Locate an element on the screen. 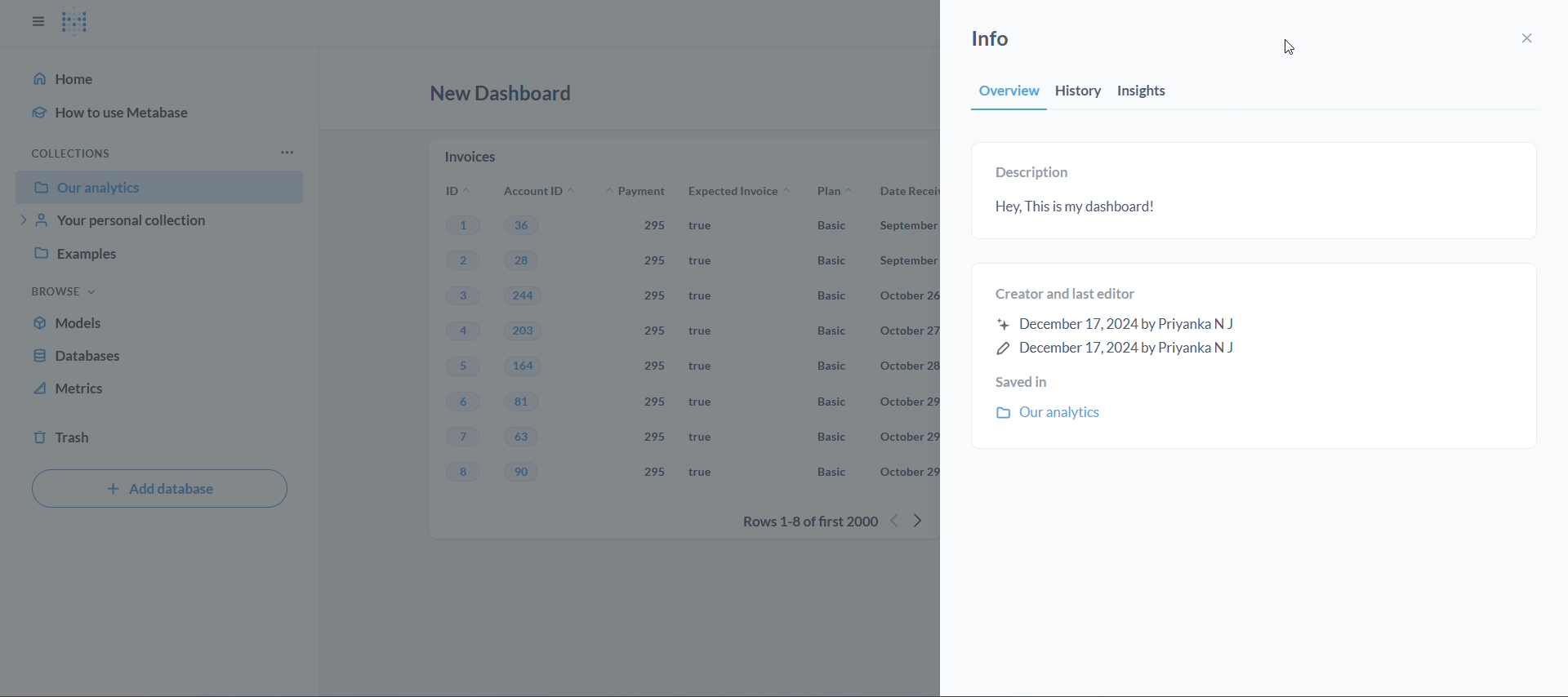 The width and height of the screenshot is (1568, 697). insights is located at coordinates (1155, 93).